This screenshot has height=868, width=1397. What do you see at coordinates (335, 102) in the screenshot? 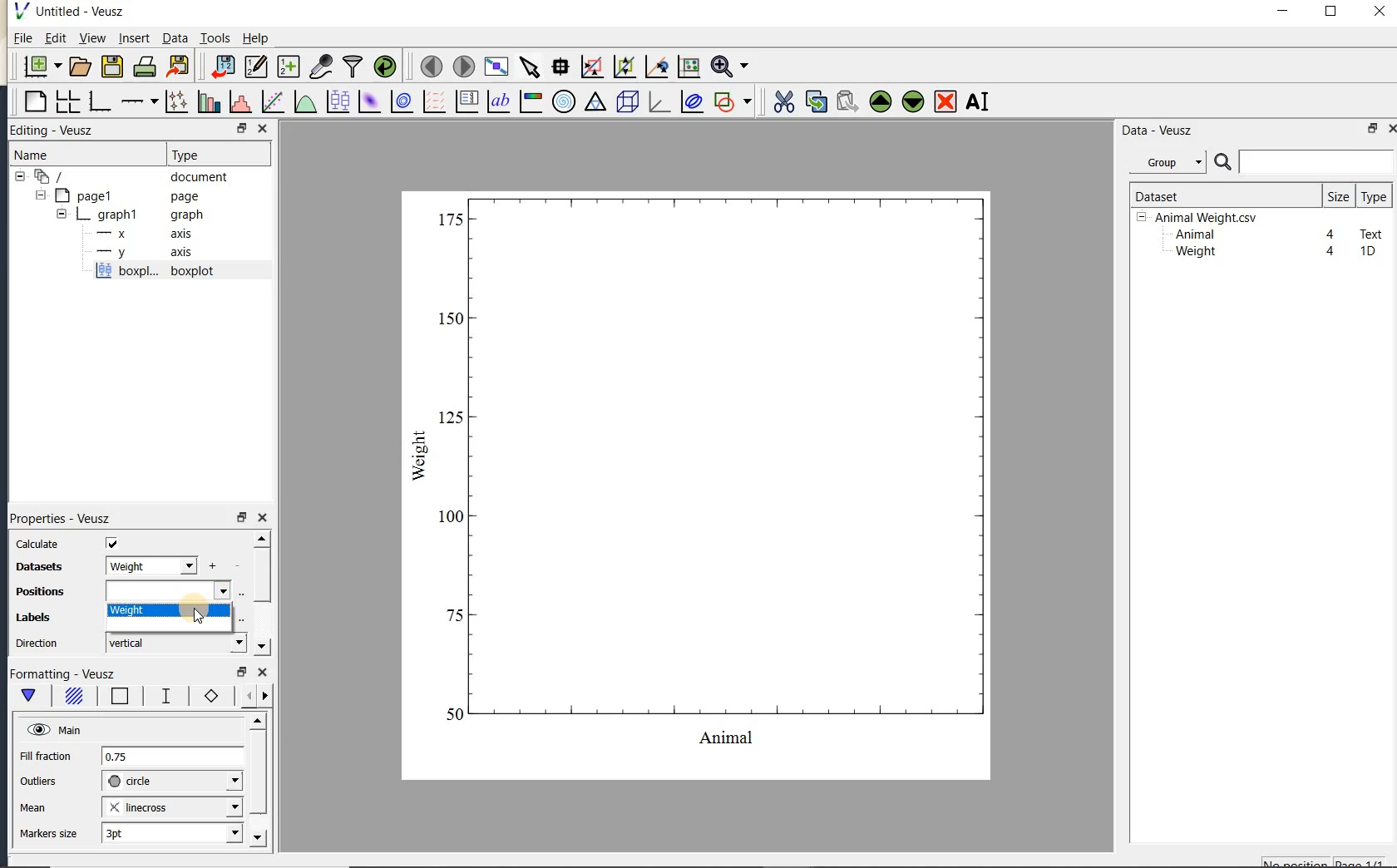
I see `plot box plots` at bounding box center [335, 102].